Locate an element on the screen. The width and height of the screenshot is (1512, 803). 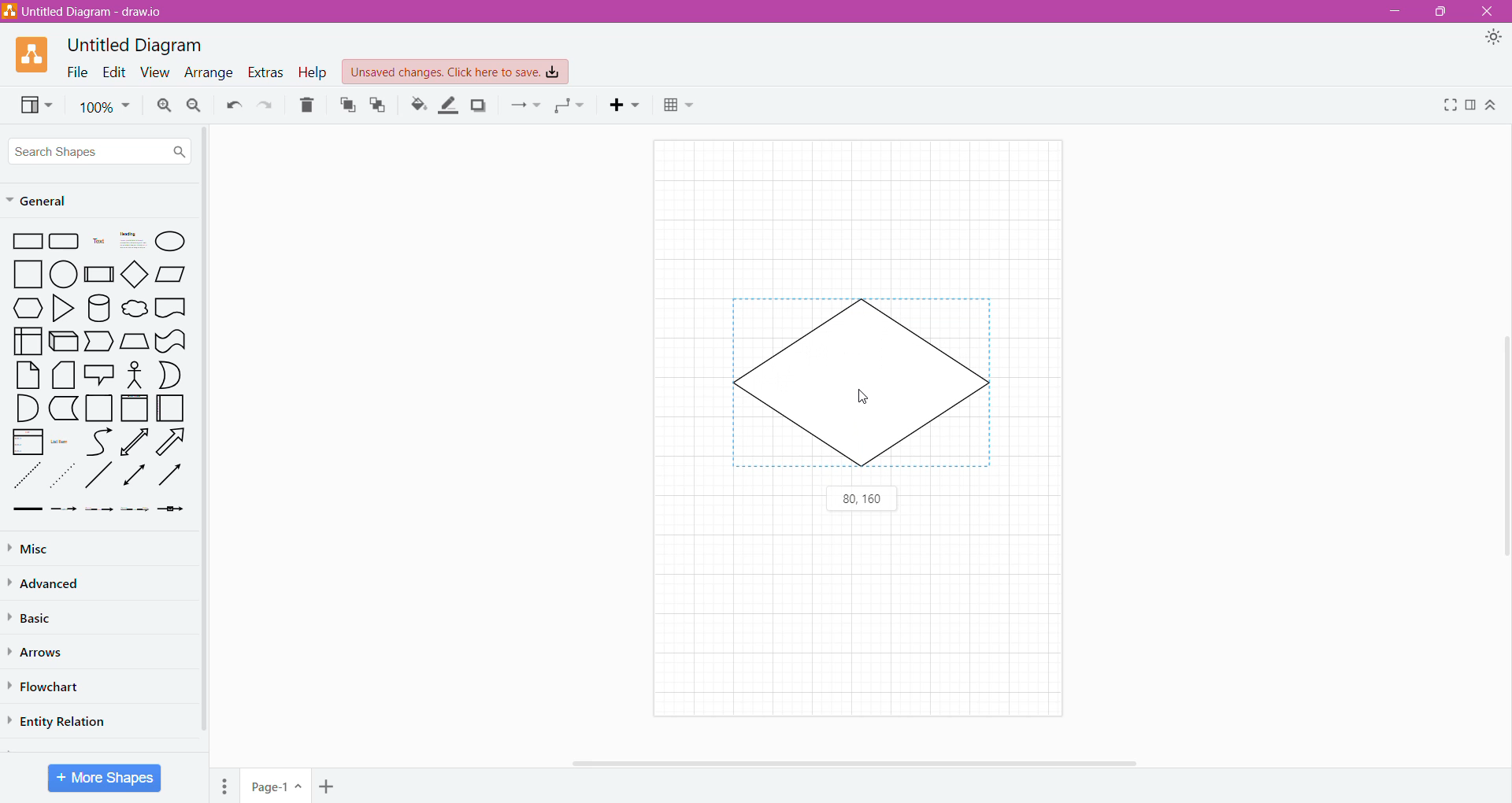
Minimize is located at coordinates (1391, 11).